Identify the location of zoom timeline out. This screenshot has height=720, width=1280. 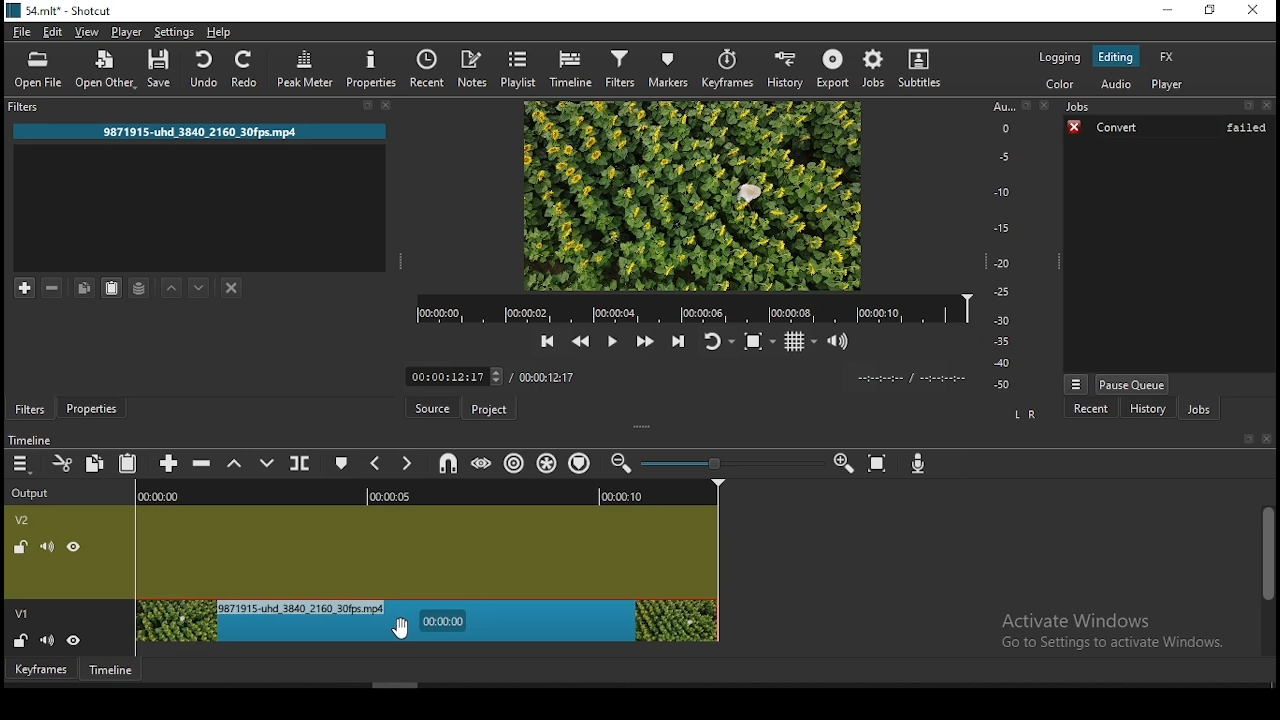
(841, 465).